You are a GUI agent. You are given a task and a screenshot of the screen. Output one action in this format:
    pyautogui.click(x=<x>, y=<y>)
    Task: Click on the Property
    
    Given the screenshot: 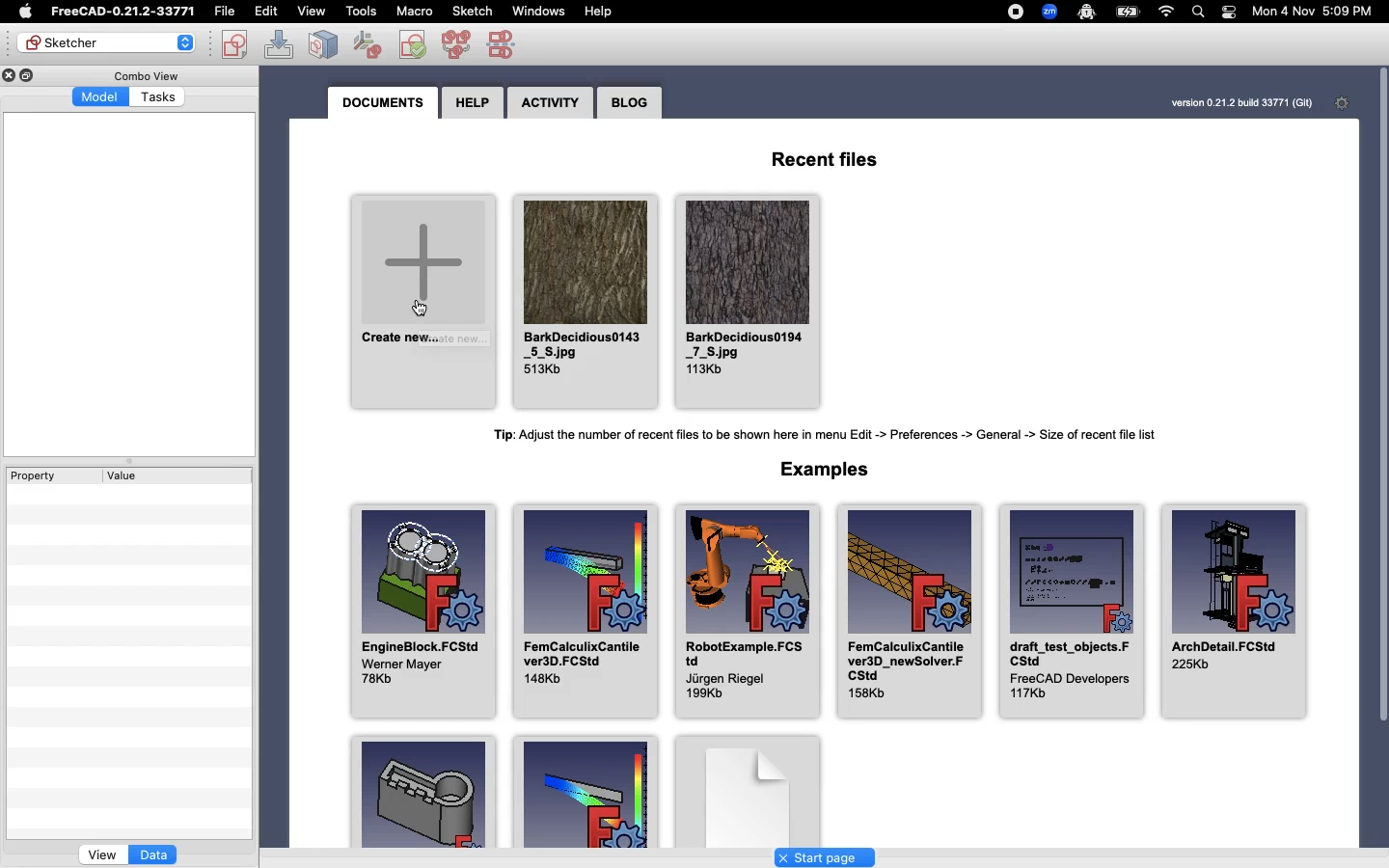 What is the action you would take?
    pyautogui.click(x=48, y=476)
    